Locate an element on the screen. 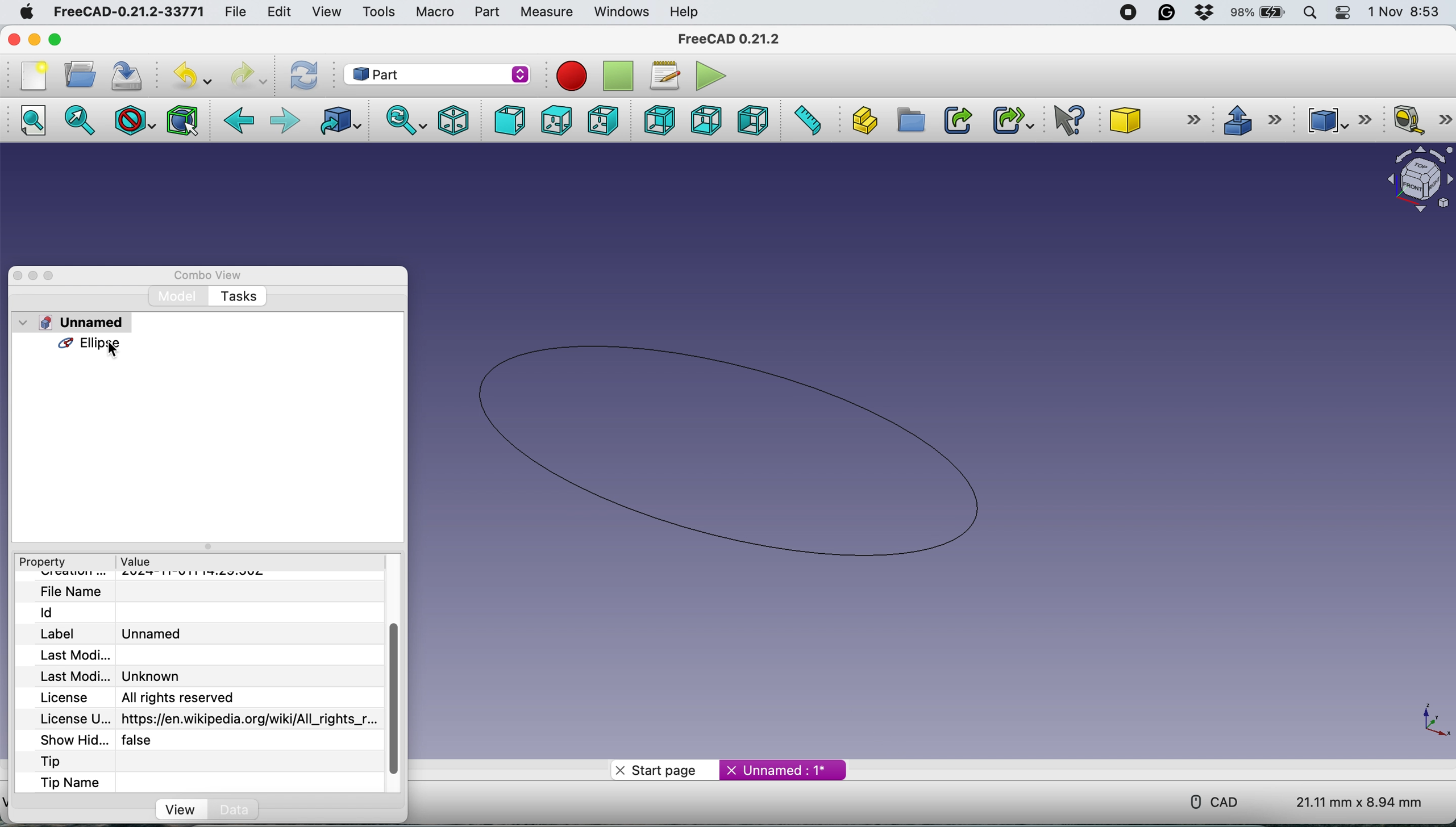 The height and width of the screenshot is (827, 1456). data is located at coordinates (234, 809).